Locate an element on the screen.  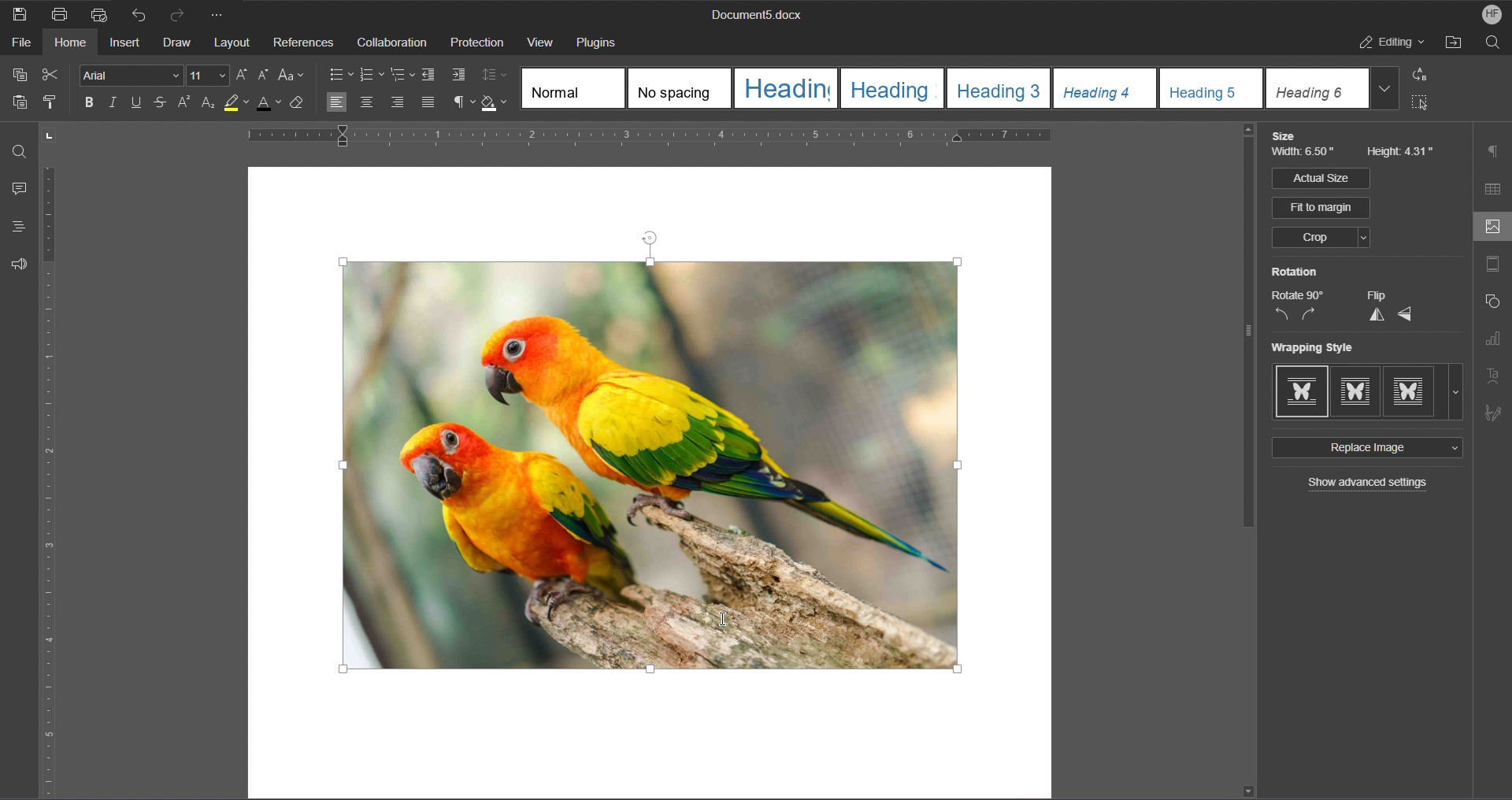
Increase Size is located at coordinates (244, 75).